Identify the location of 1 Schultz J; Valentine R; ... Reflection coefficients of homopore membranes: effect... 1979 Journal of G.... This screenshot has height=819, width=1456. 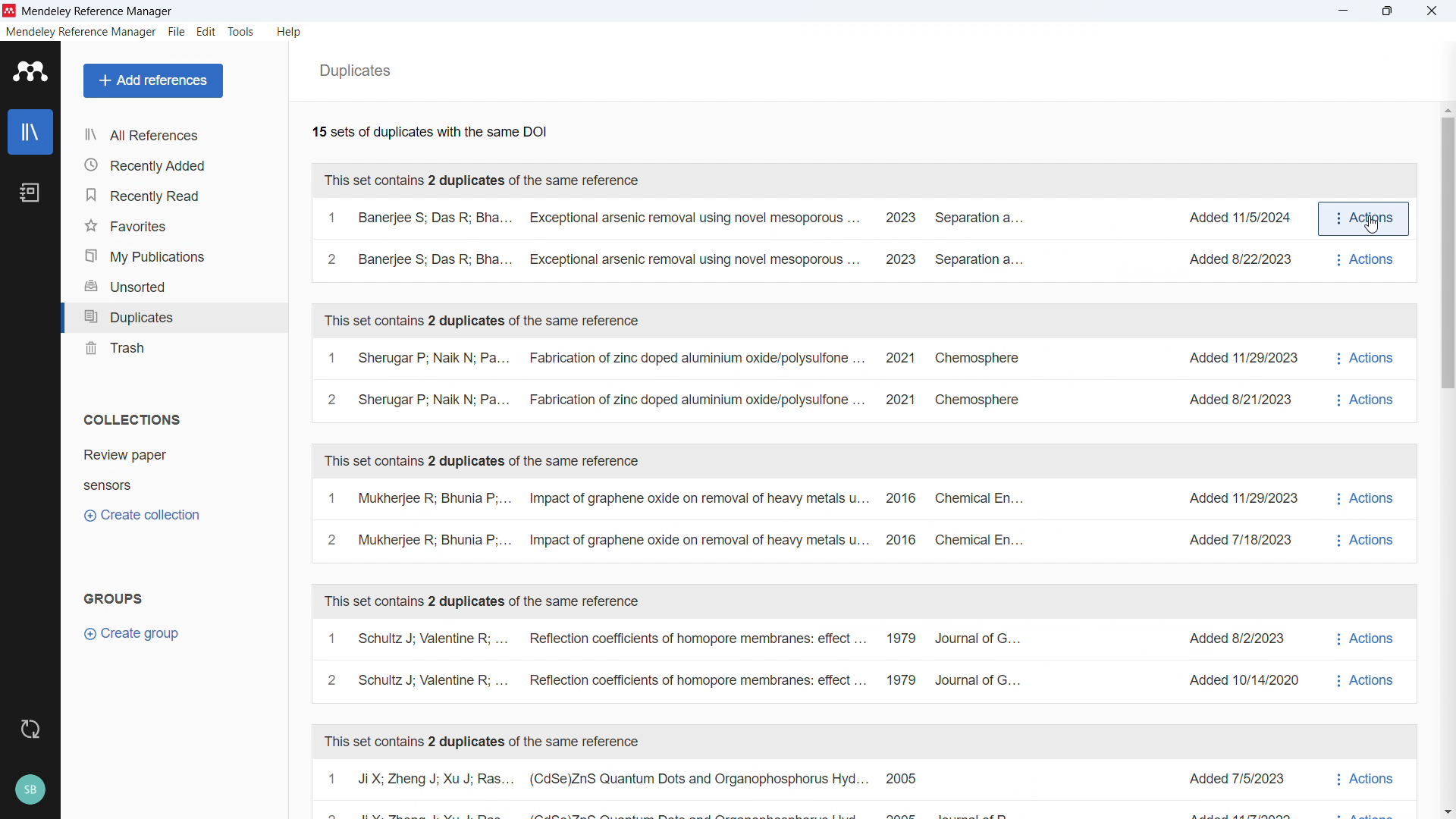
(679, 638).